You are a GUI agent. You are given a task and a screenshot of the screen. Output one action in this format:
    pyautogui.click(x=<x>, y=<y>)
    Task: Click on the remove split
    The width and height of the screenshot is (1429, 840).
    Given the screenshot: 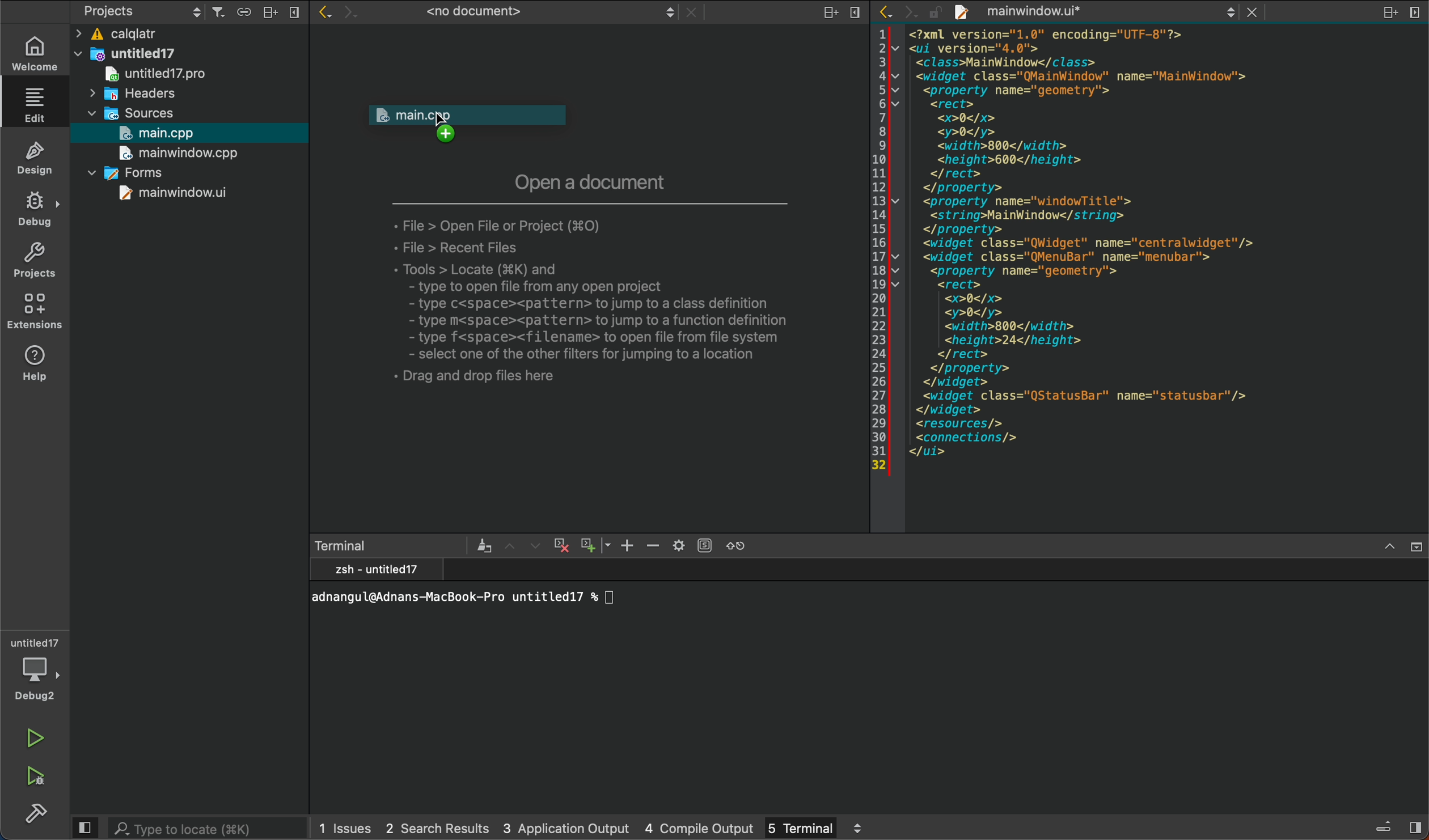 What is the action you would take?
    pyautogui.click(x=857, y=15)
    